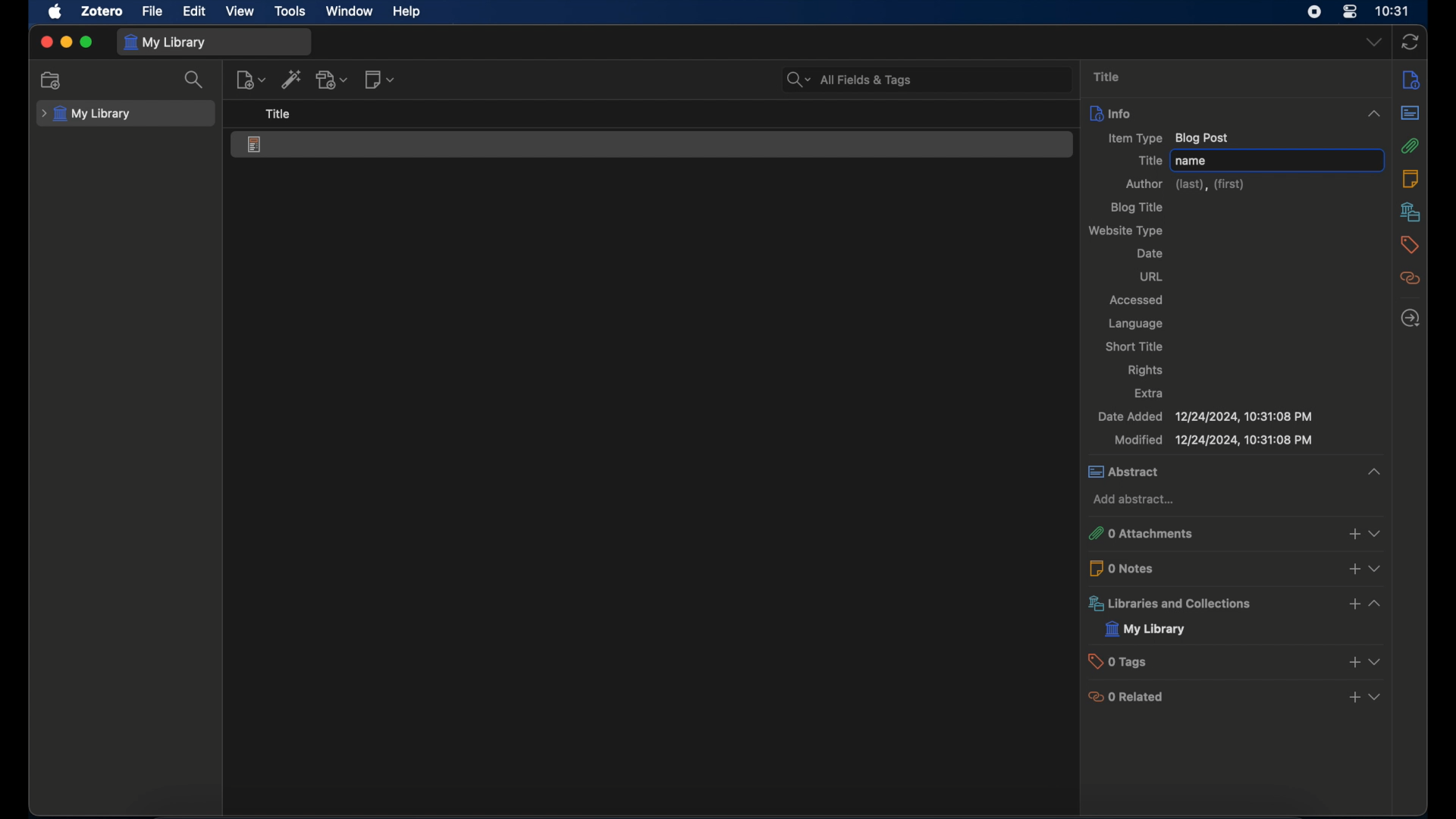 The width and height of the screenshot is (1456, 819). I want to click on related, so click(1411, 278).